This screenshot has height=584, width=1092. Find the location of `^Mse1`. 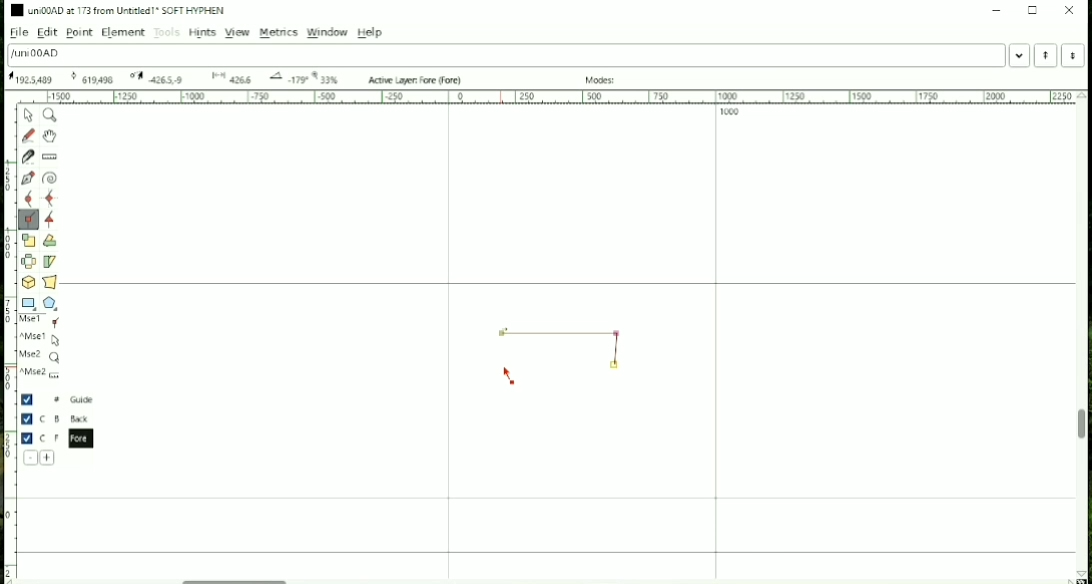

^Mse1 is located at coordinates (42, 339).